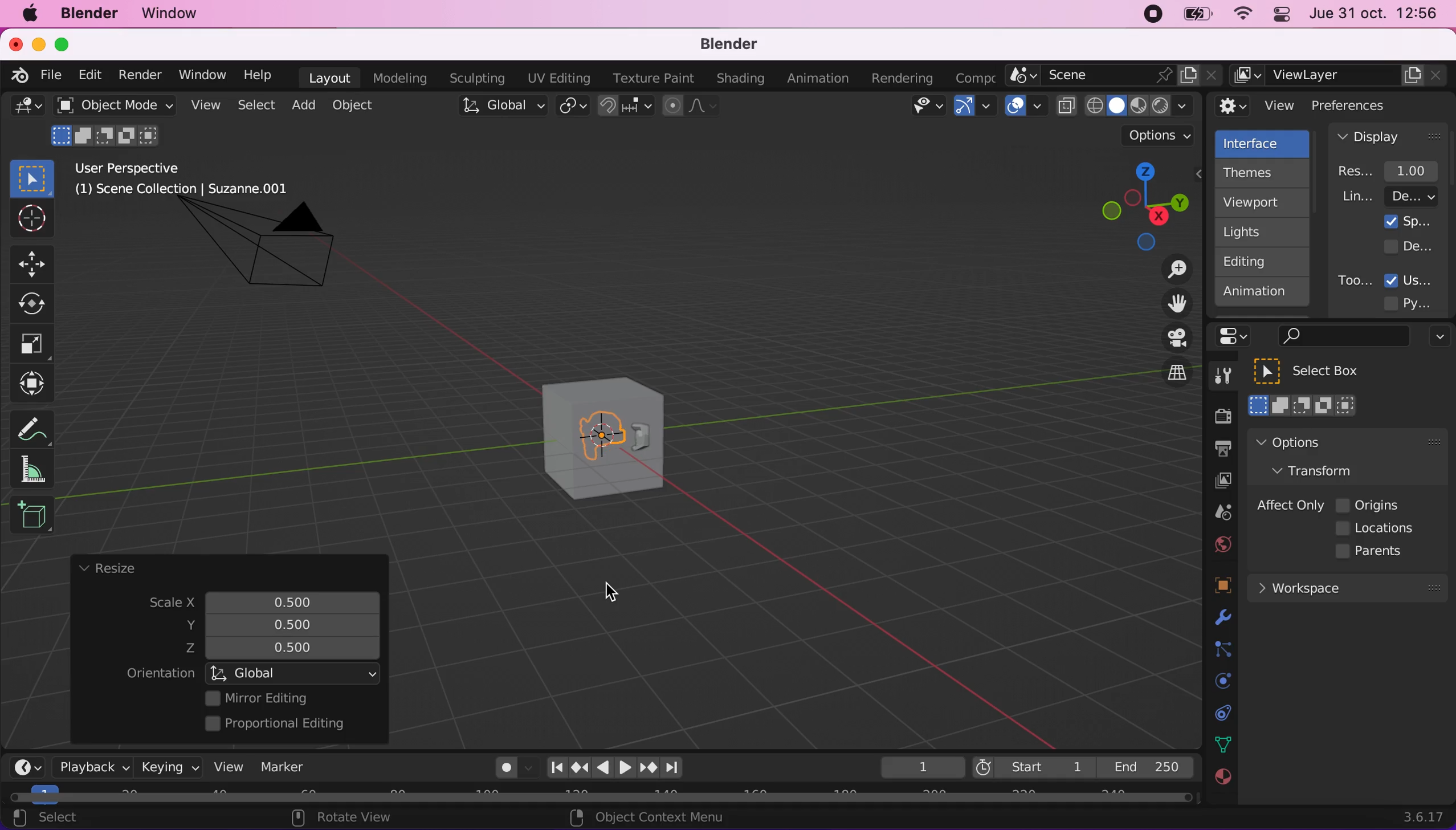  I want to click on affect only, so click(1288, 505).